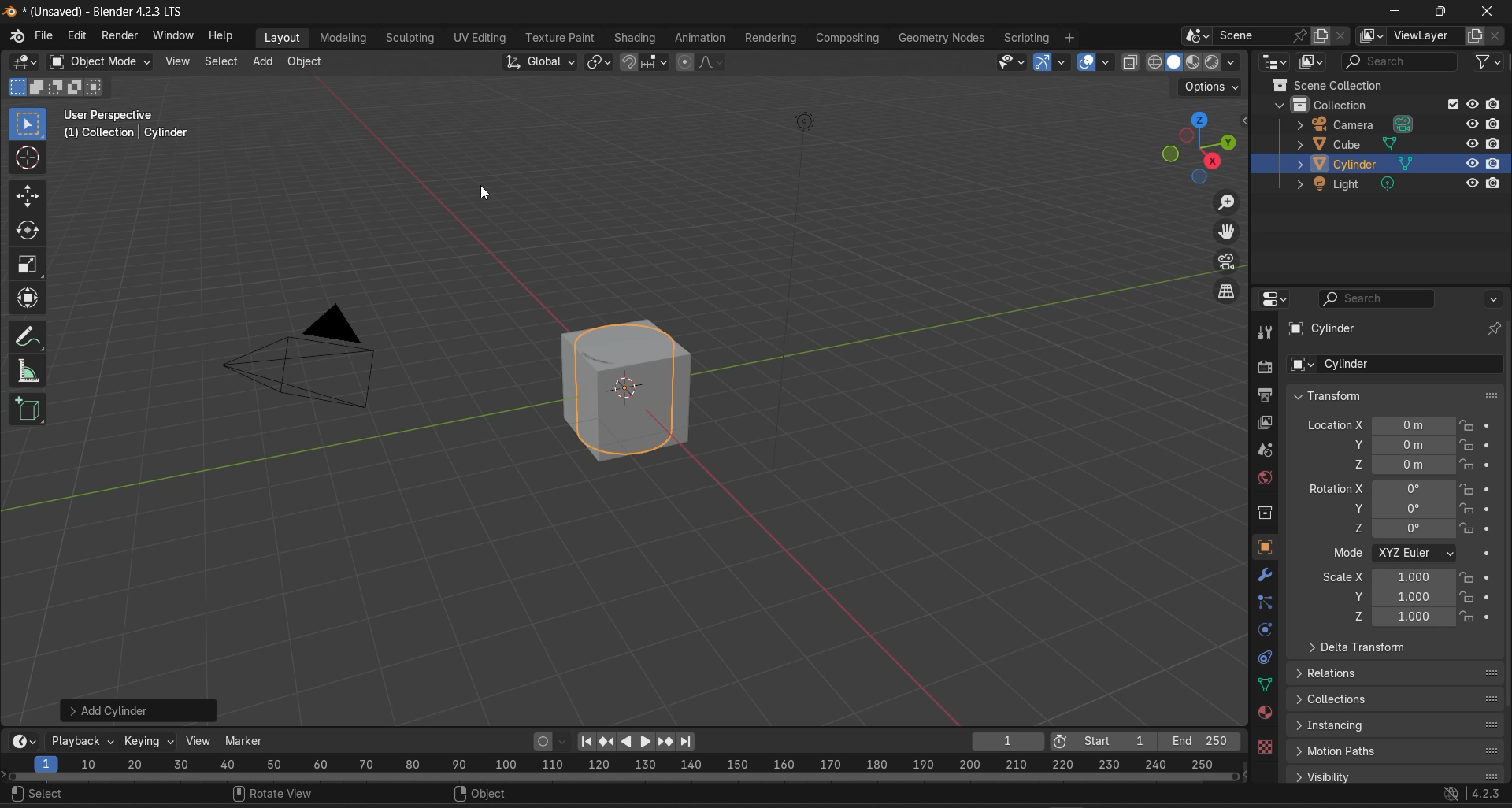  What do you see at coordinates (1228, 202) in the screenshot?
I see `zoom in/out in the view` at bounding box center [1228, 202].